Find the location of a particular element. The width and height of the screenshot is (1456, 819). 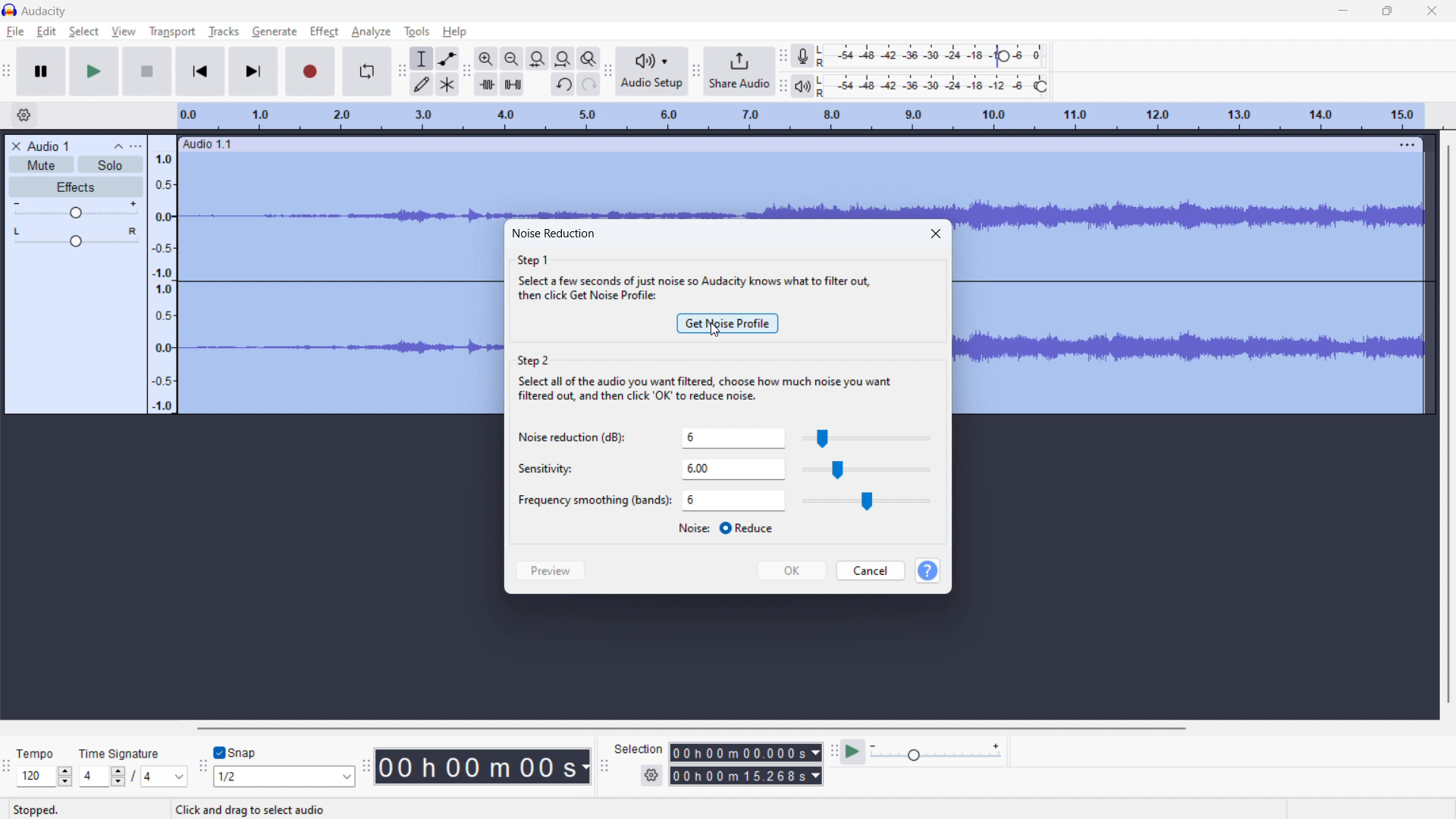

help is located at coordinates (456, 32).